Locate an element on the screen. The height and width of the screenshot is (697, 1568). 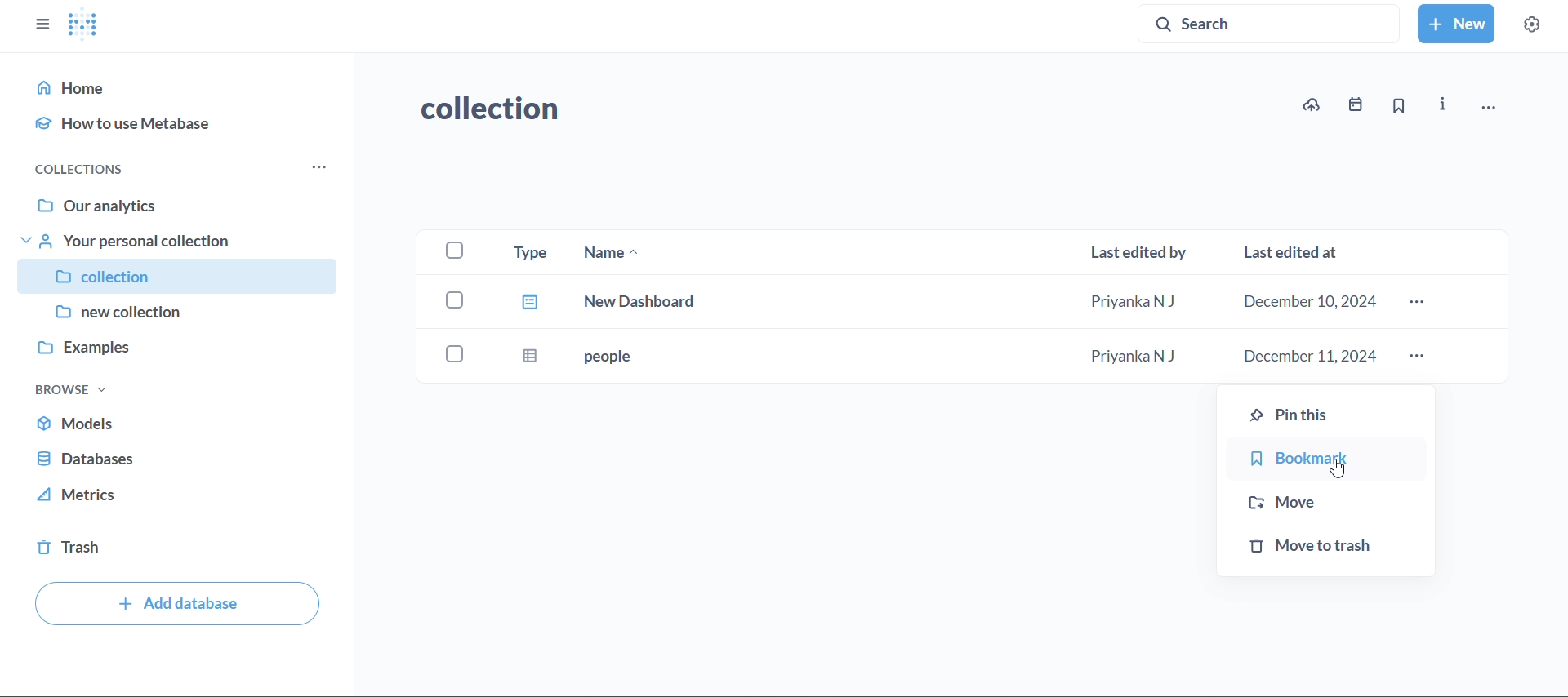
Priyanka N J is located at coordinates (1138, 300).